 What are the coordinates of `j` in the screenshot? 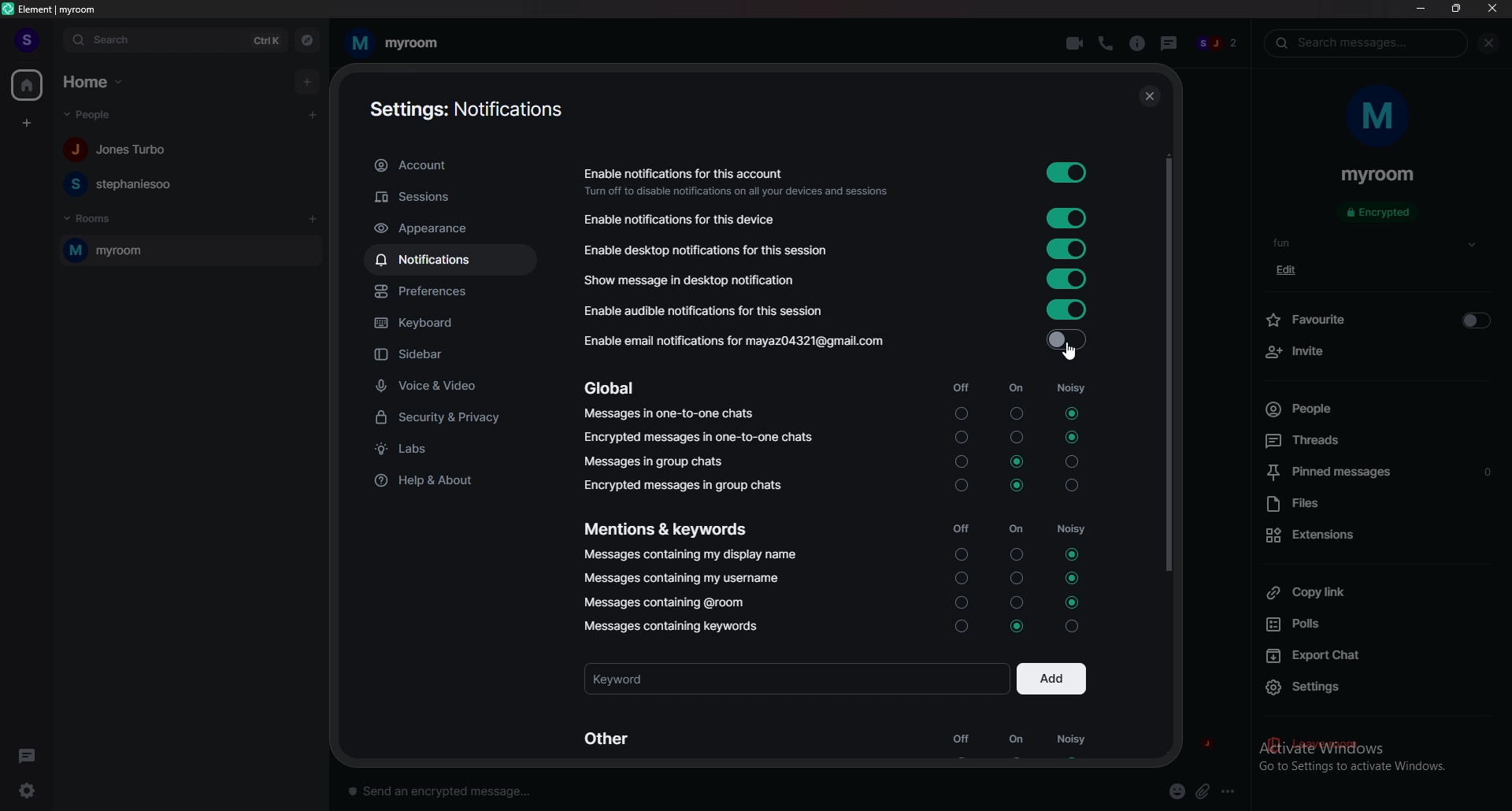 It's located at (1206, 745).